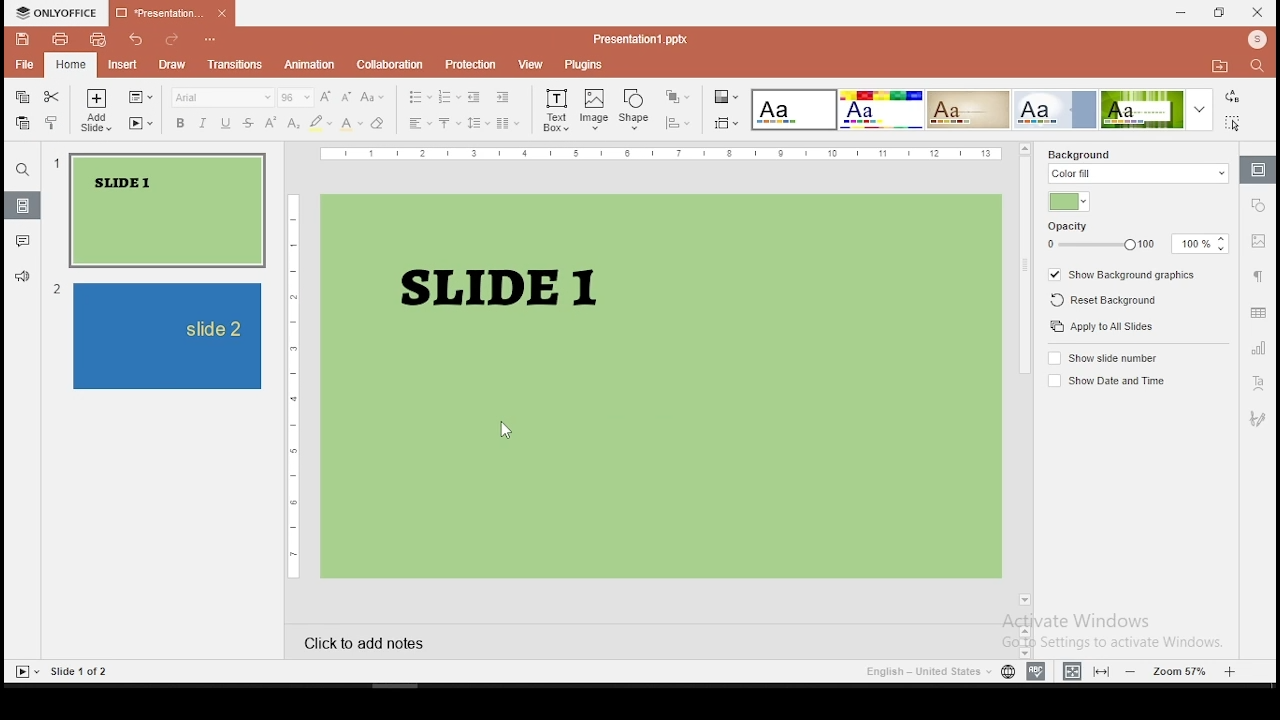 The width and height of the screenshot is (1280, 720). What do you see at coordinates (320, 122) in the screenshot?
I see `highlight color` at bounding box center [320, 122].